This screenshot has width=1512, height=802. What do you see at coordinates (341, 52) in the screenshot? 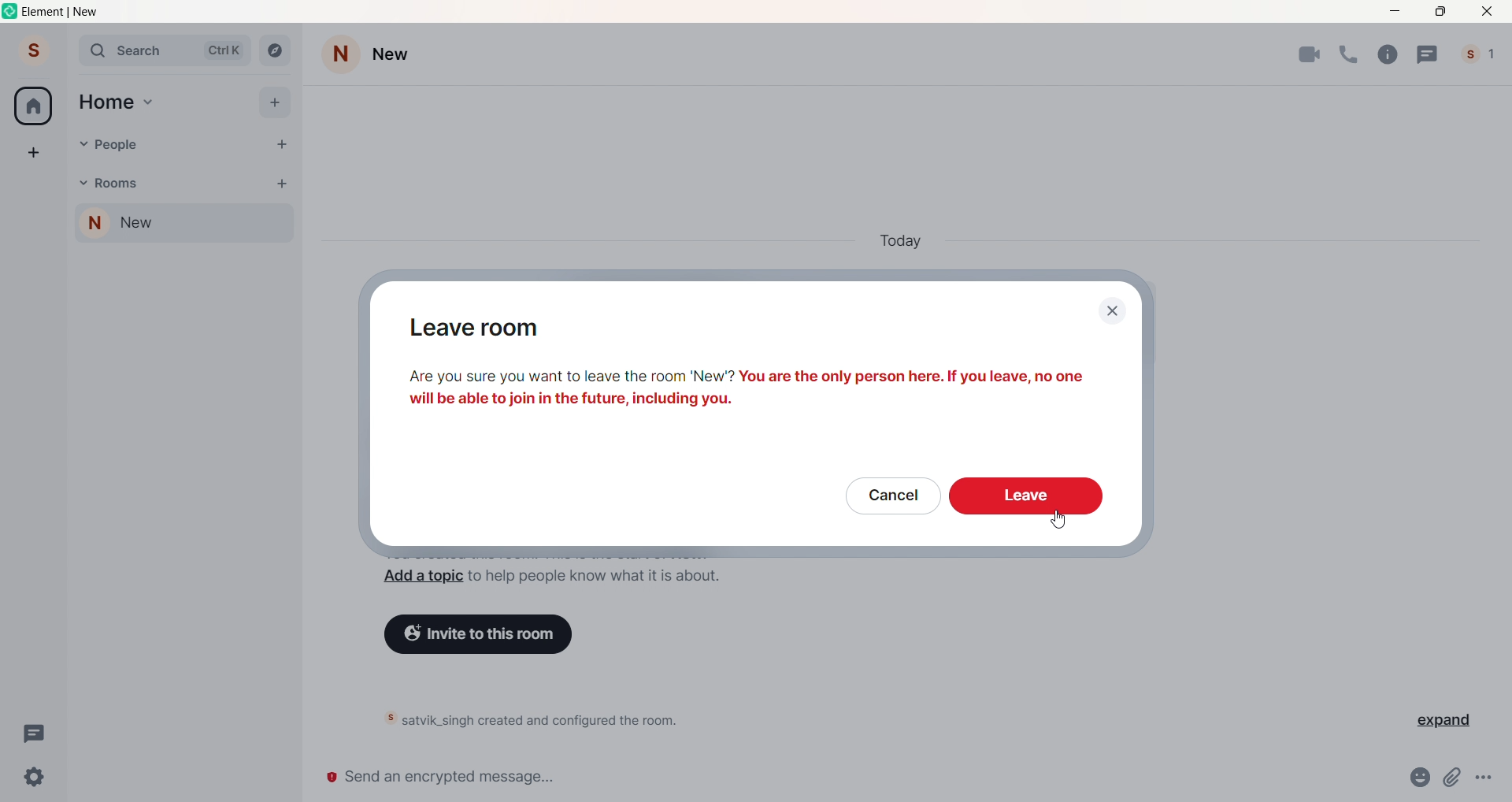
I see `Room Setting` at bounding box center [341, 52].